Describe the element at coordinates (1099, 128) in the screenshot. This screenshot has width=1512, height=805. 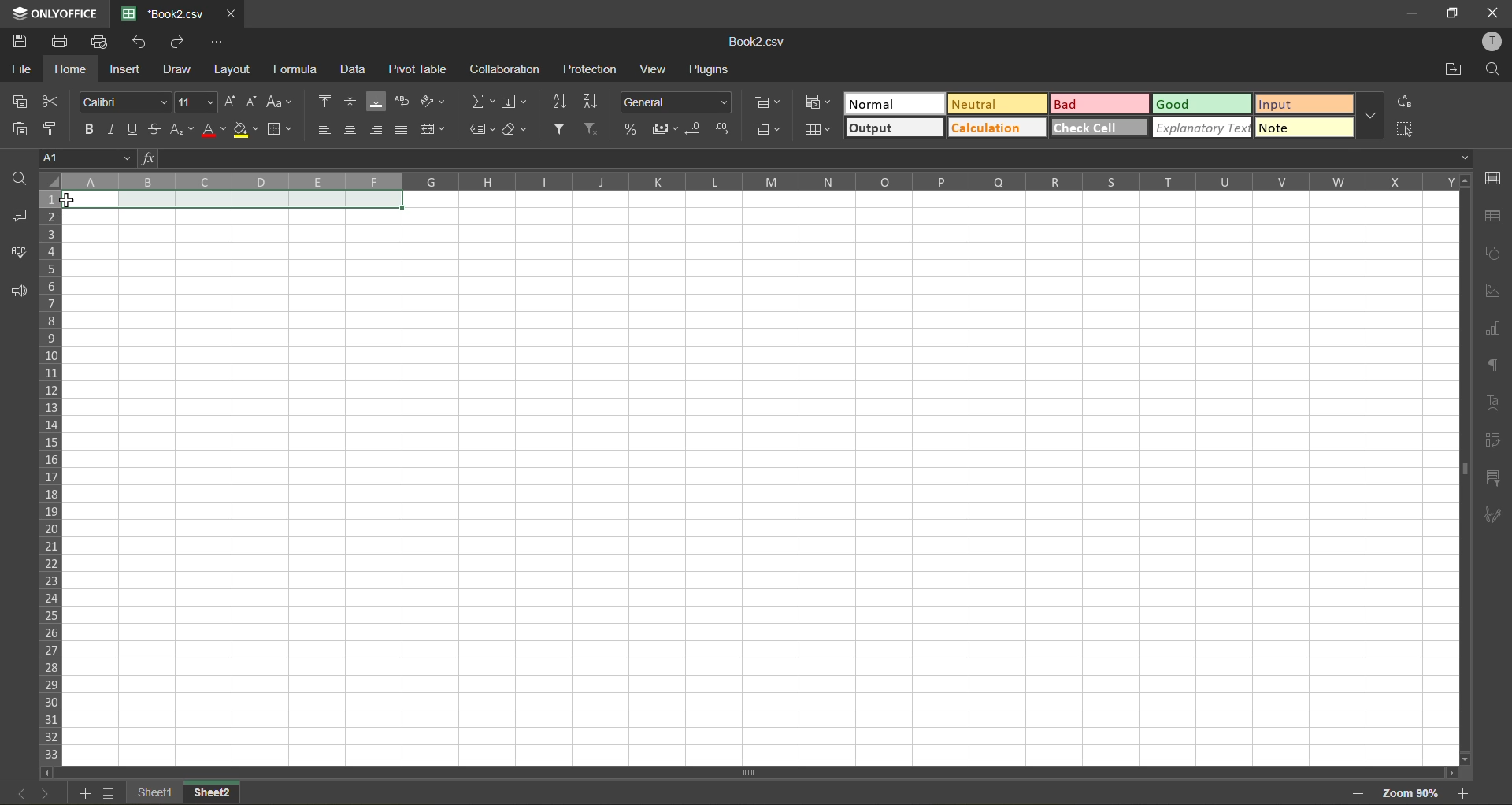
I see `check cell` at that location.